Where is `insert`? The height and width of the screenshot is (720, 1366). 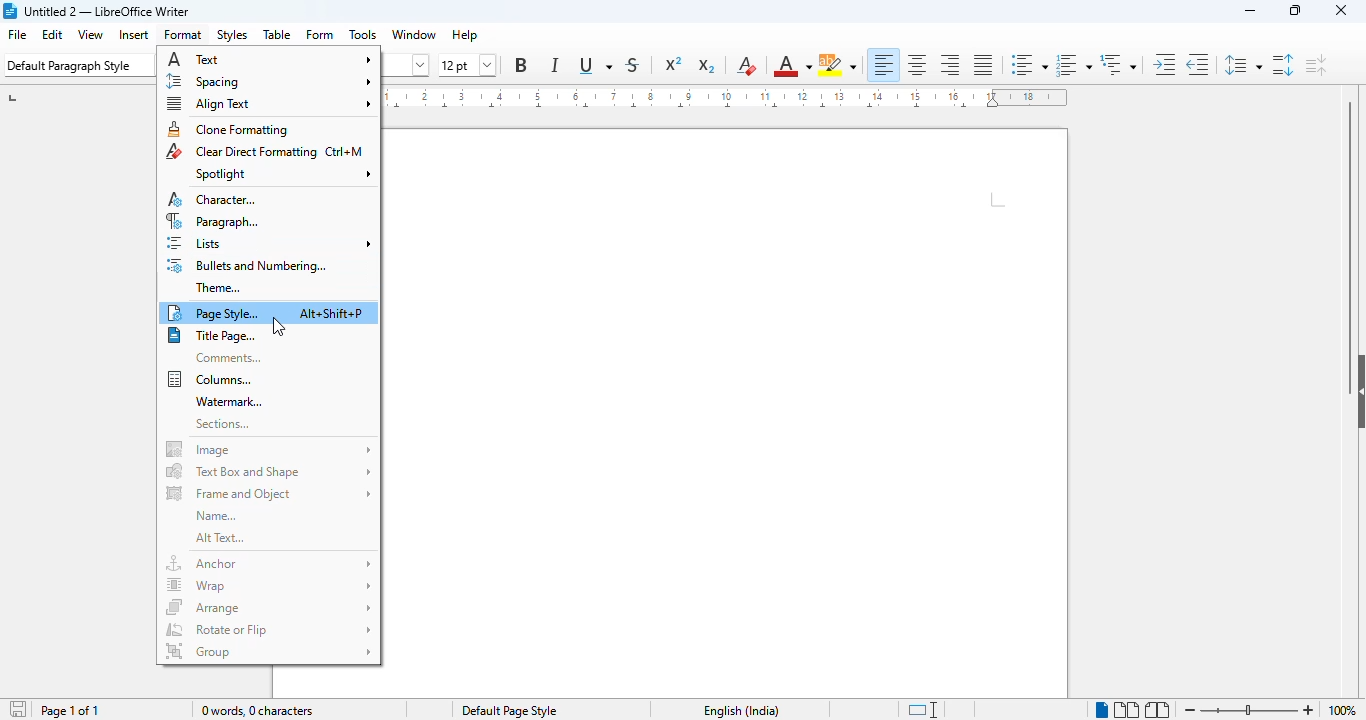
insert is located at coordinates (134, 34).